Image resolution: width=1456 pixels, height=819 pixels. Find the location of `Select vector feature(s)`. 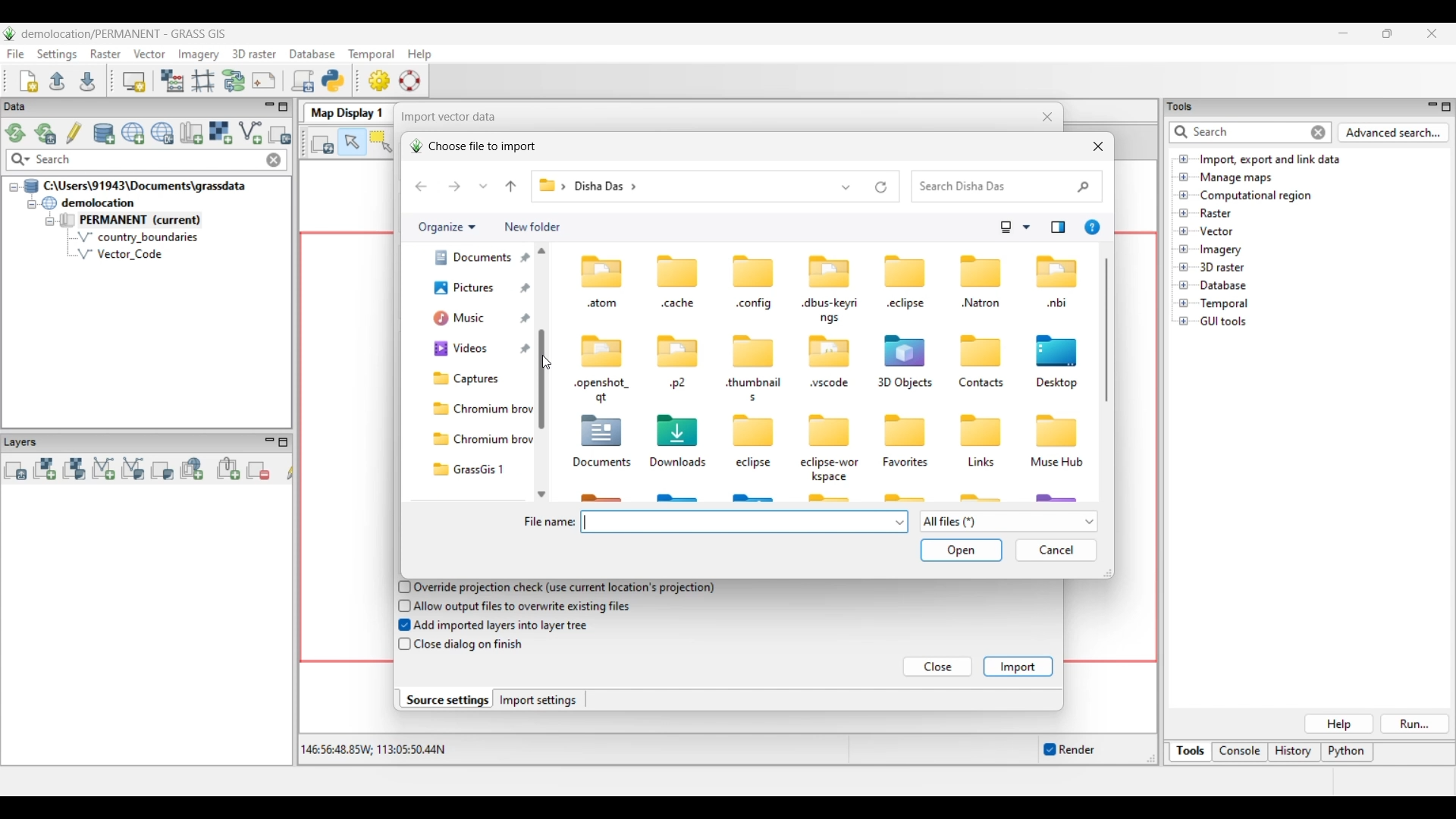

Select vector feature(s) is located at coordinates (381, 143).